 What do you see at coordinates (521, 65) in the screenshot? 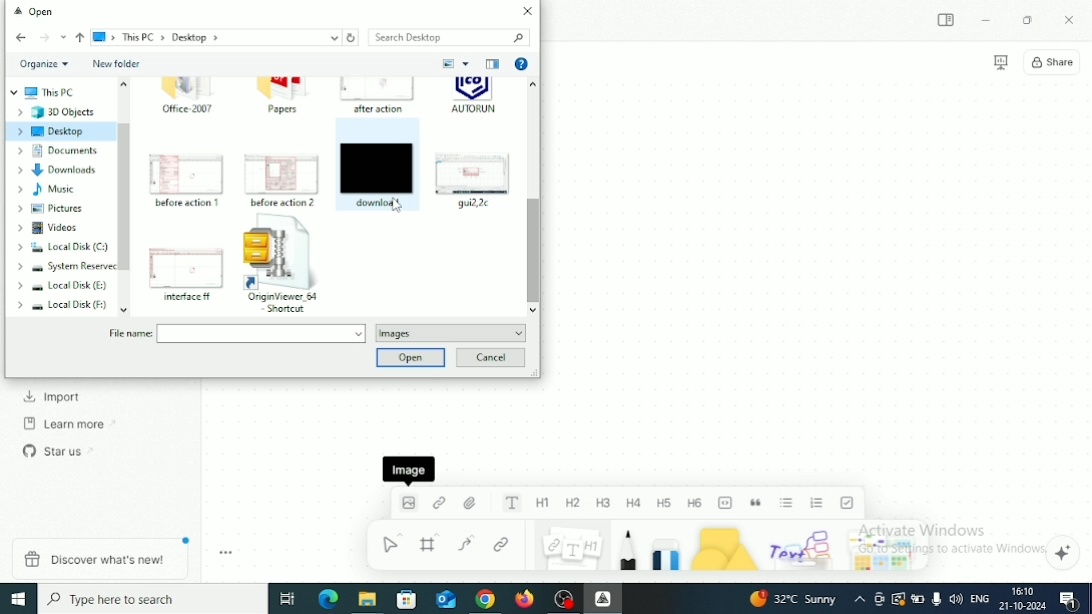
I see `Get Help` at bounding box center [521, 65].